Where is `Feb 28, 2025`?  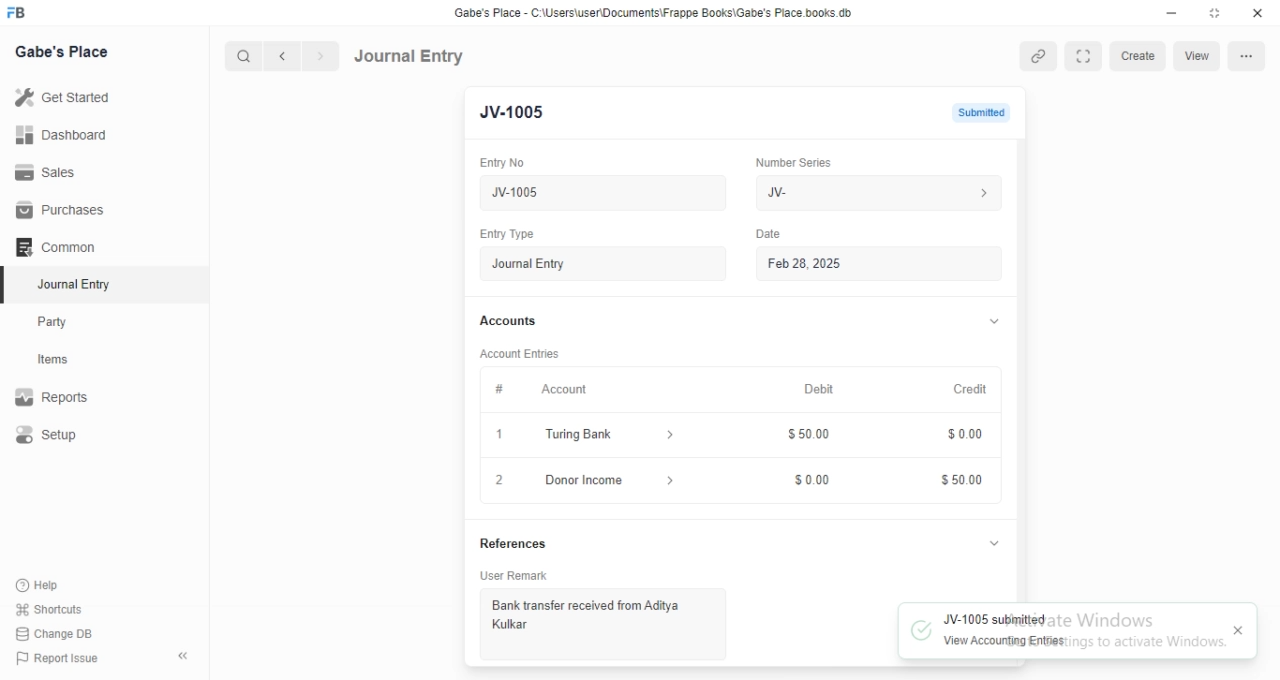 Feb 28, 2025 is located at coordinates (860, 263).